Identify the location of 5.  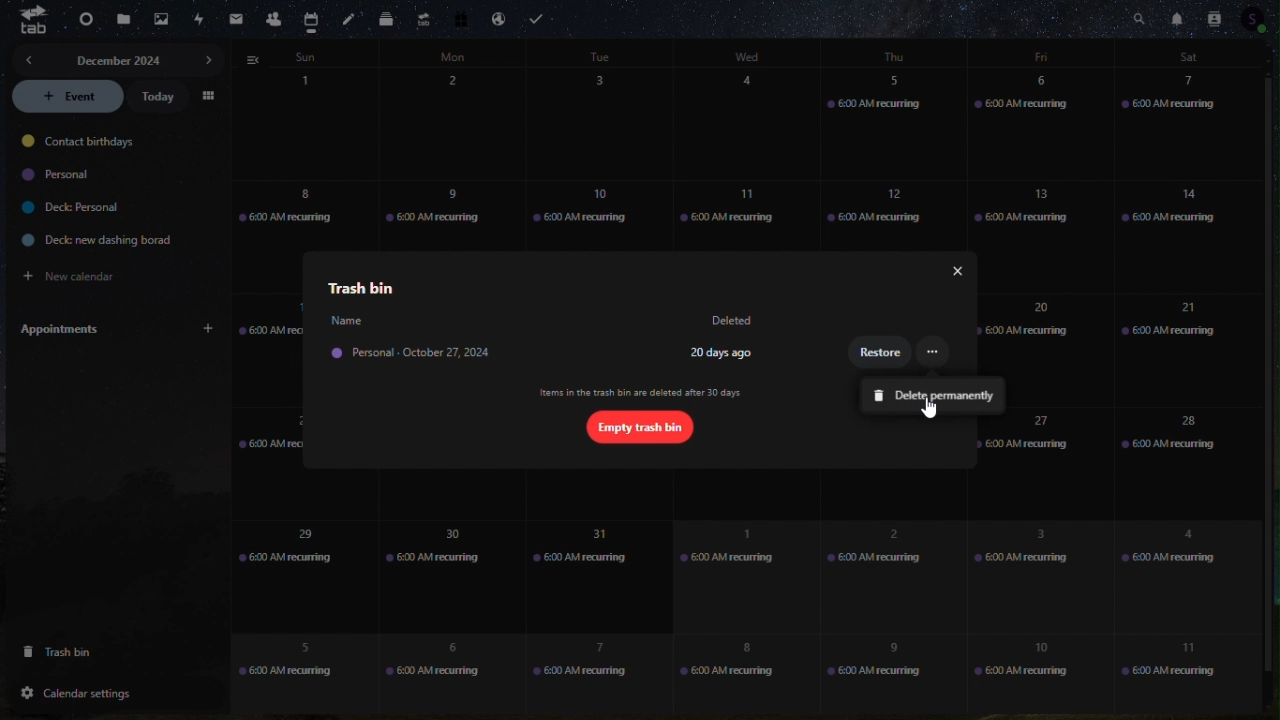
(895, 122).